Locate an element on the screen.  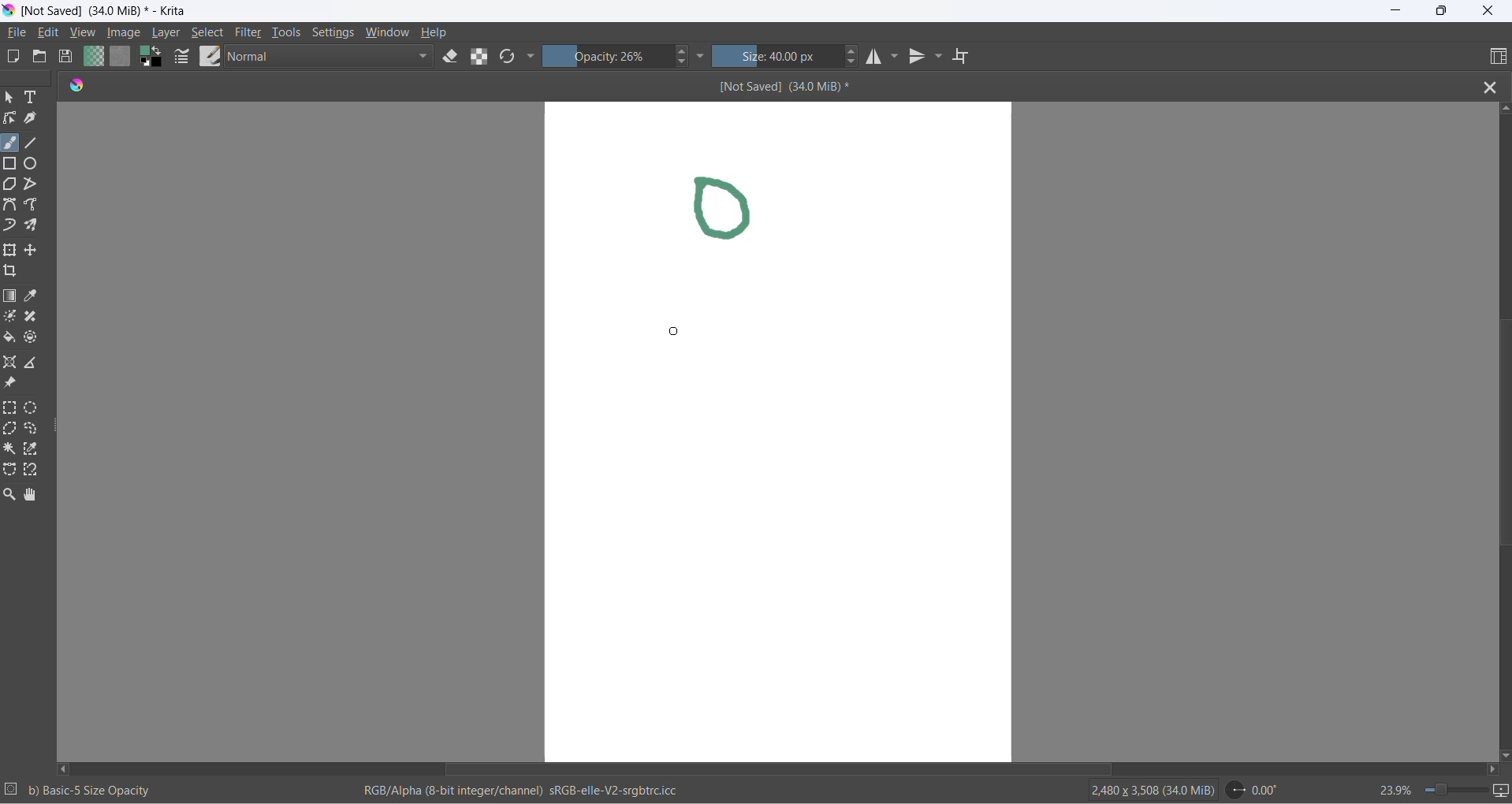
fill patterns is located at coordinates (122, 56).